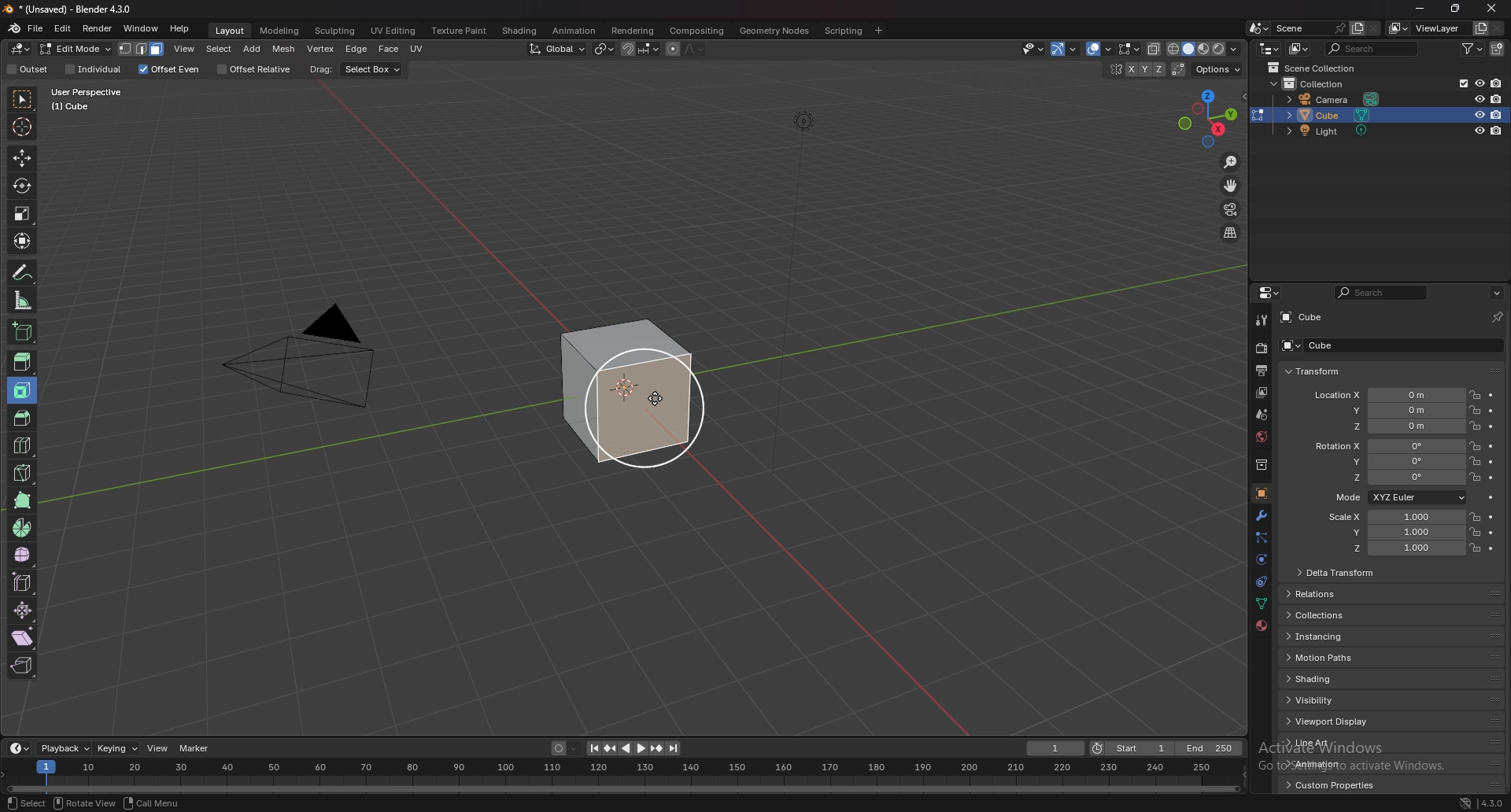  What do you see at coordinates (1260, 465) in the screenshot?
I see `collection` at bounding box center [1260, 465].